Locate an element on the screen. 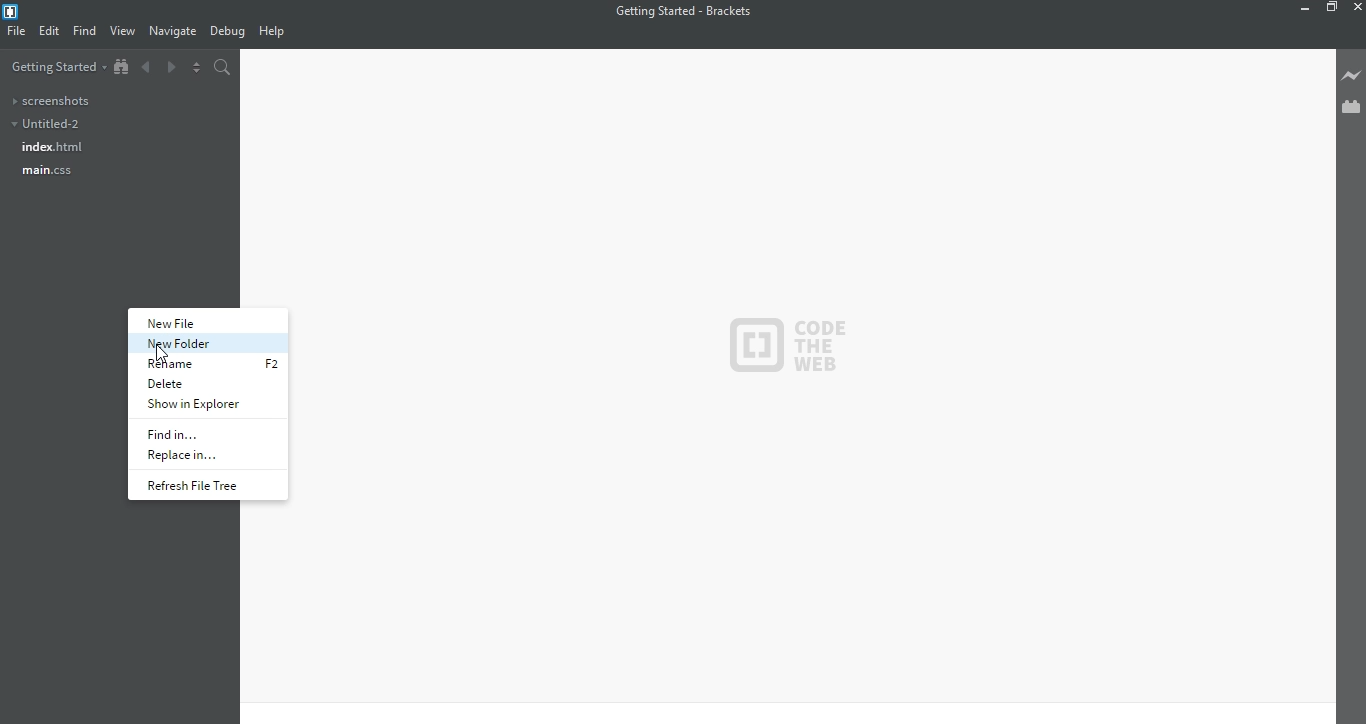  new file is located at coordinates (187, 322).